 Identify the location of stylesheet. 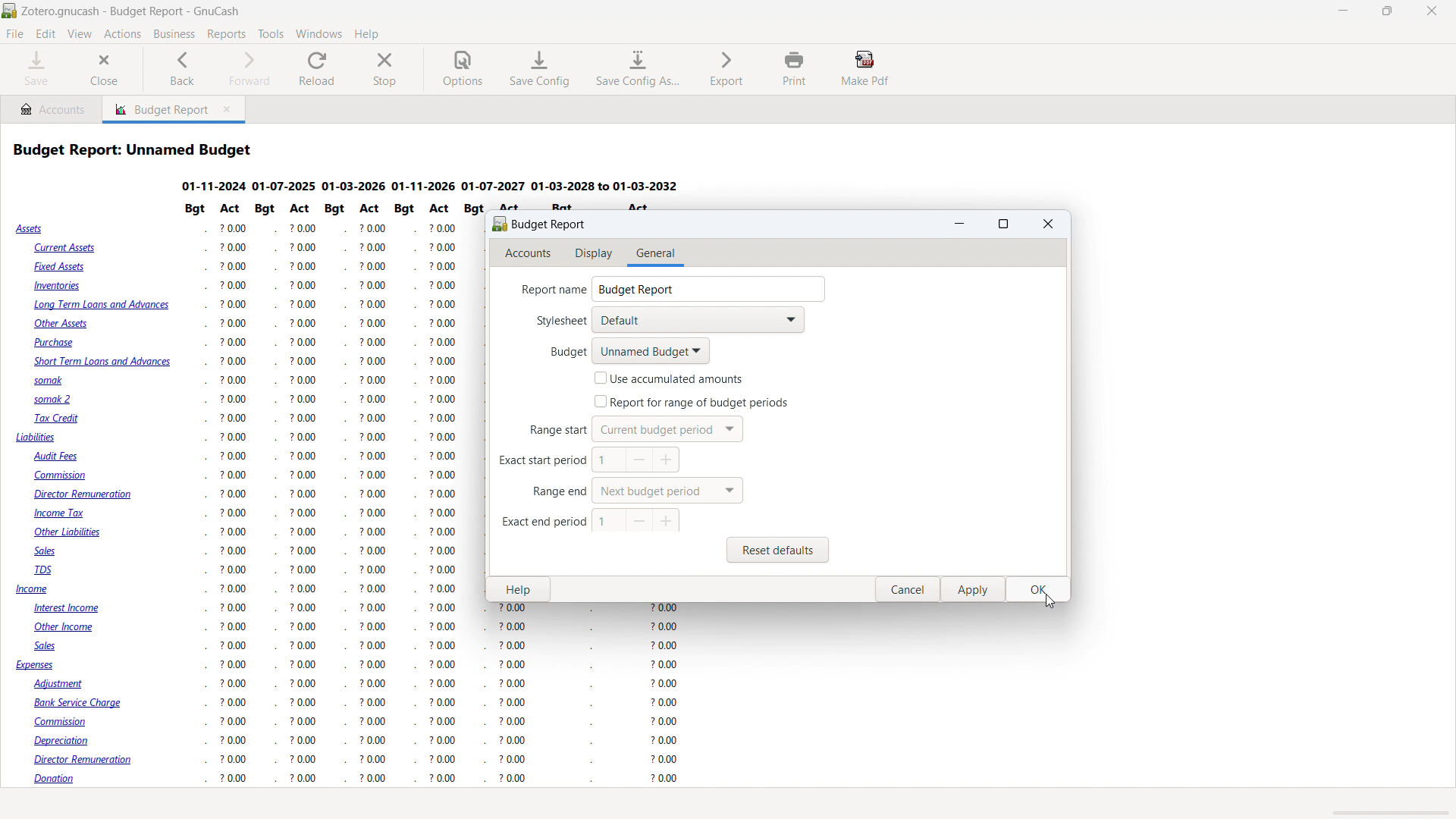
(698, 320).